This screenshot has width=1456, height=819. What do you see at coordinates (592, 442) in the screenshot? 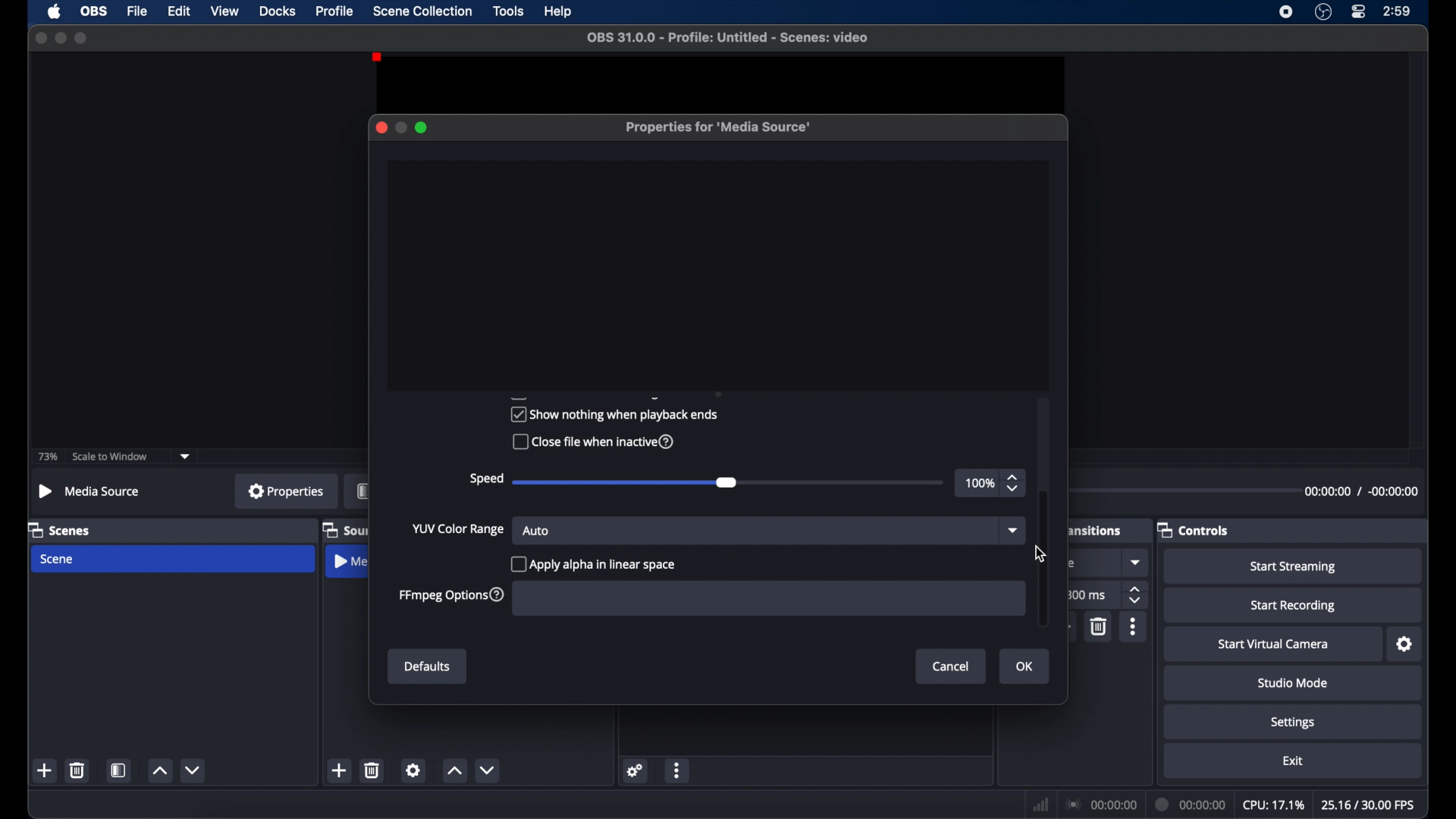
I see `close file when inactive` at bounding box center [592, 442].